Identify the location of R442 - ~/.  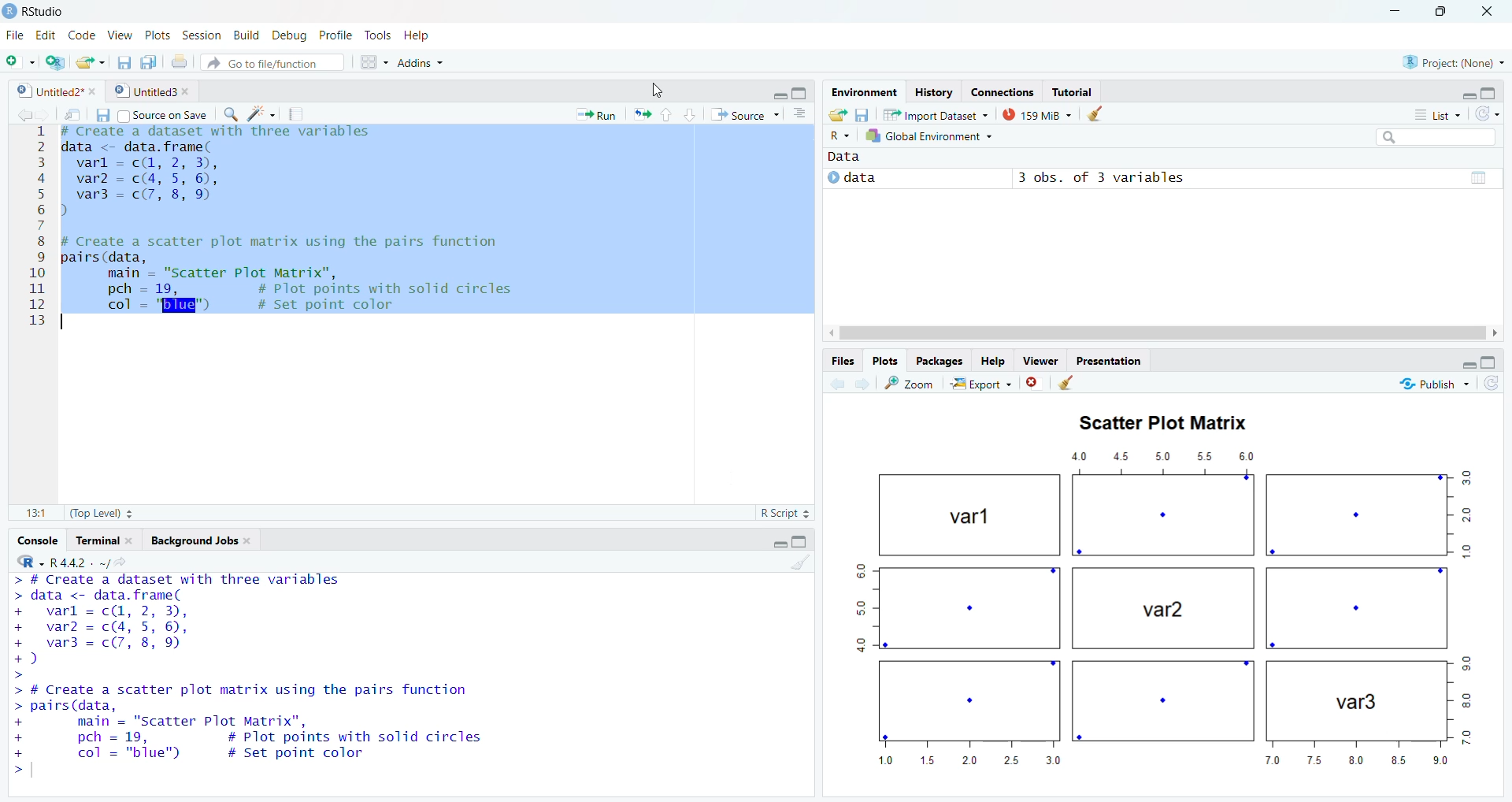
(97, 561).